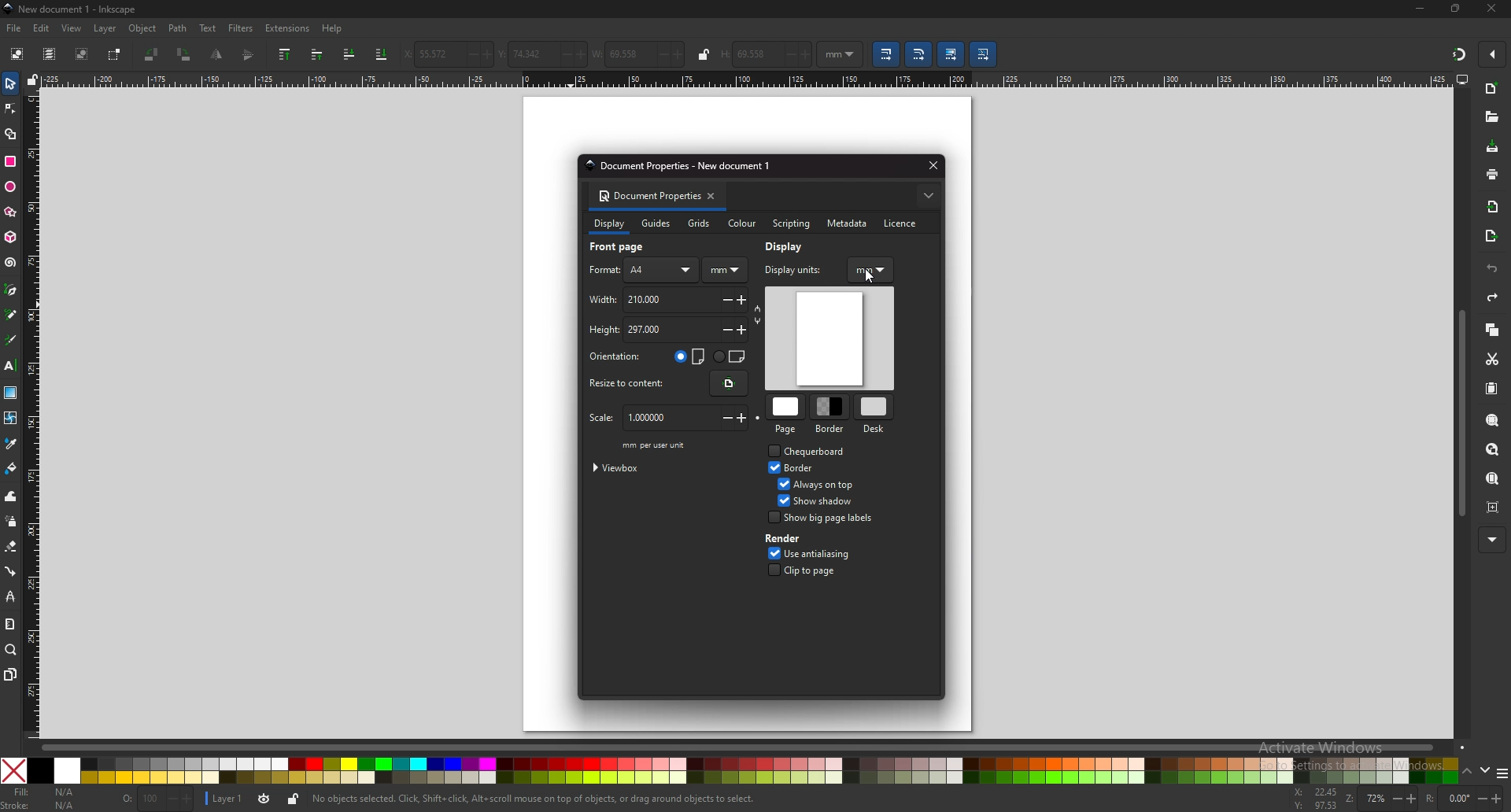 Image resolution: width=1511 pixels, height=812 pixels. Describe the element at coordinates (319, 55) in the screenshot. I see `raise selection one step` at that location.